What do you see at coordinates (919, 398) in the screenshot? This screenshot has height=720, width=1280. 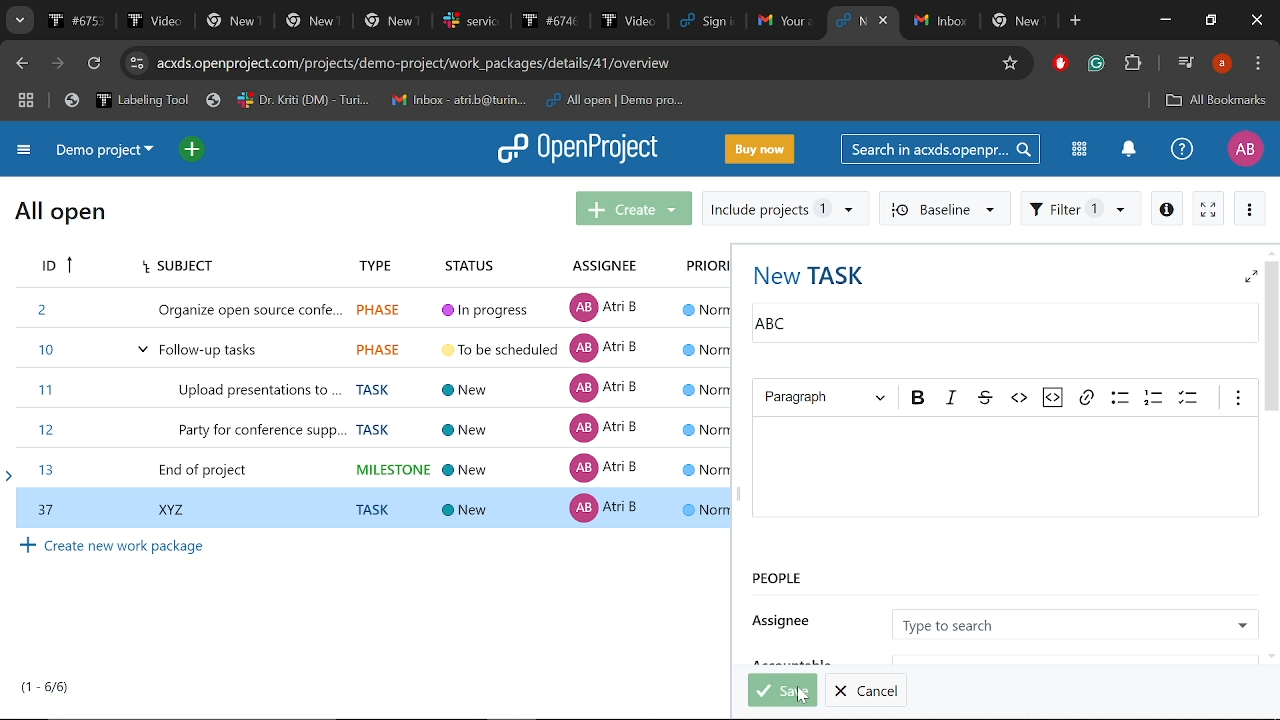 I see `Bold` at bounding box center [919, 398].